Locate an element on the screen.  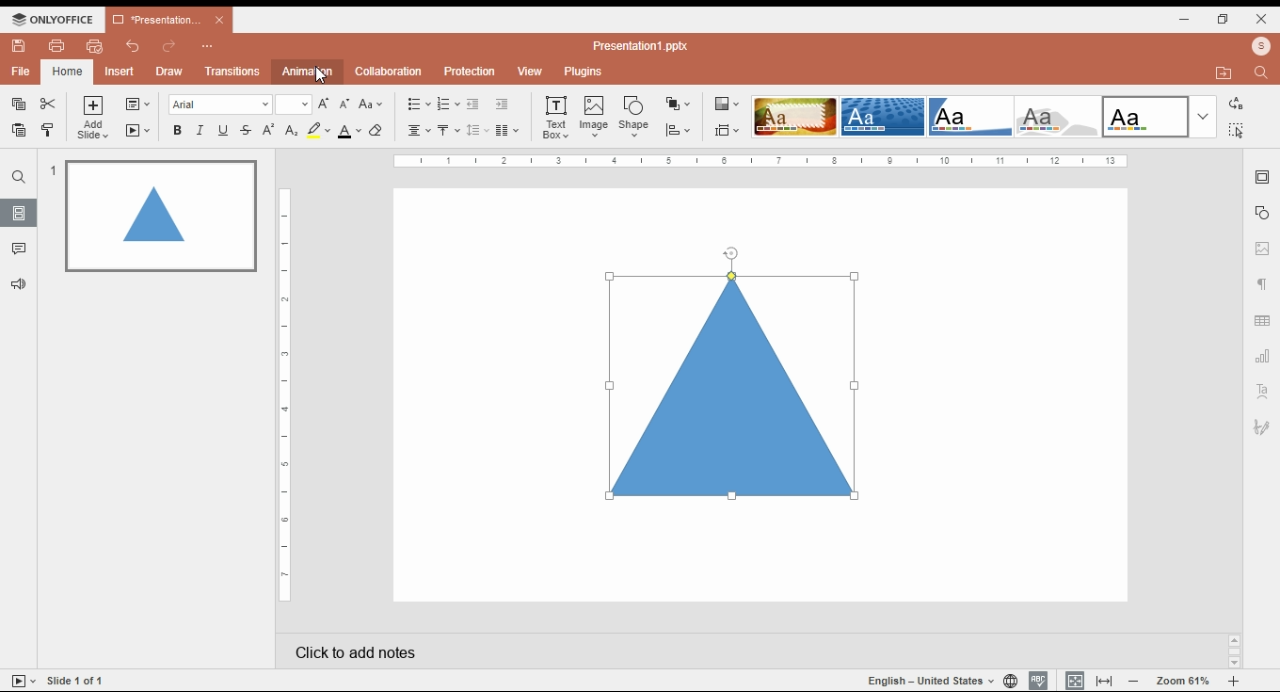
spell check is located at coordinates (1038, 681).